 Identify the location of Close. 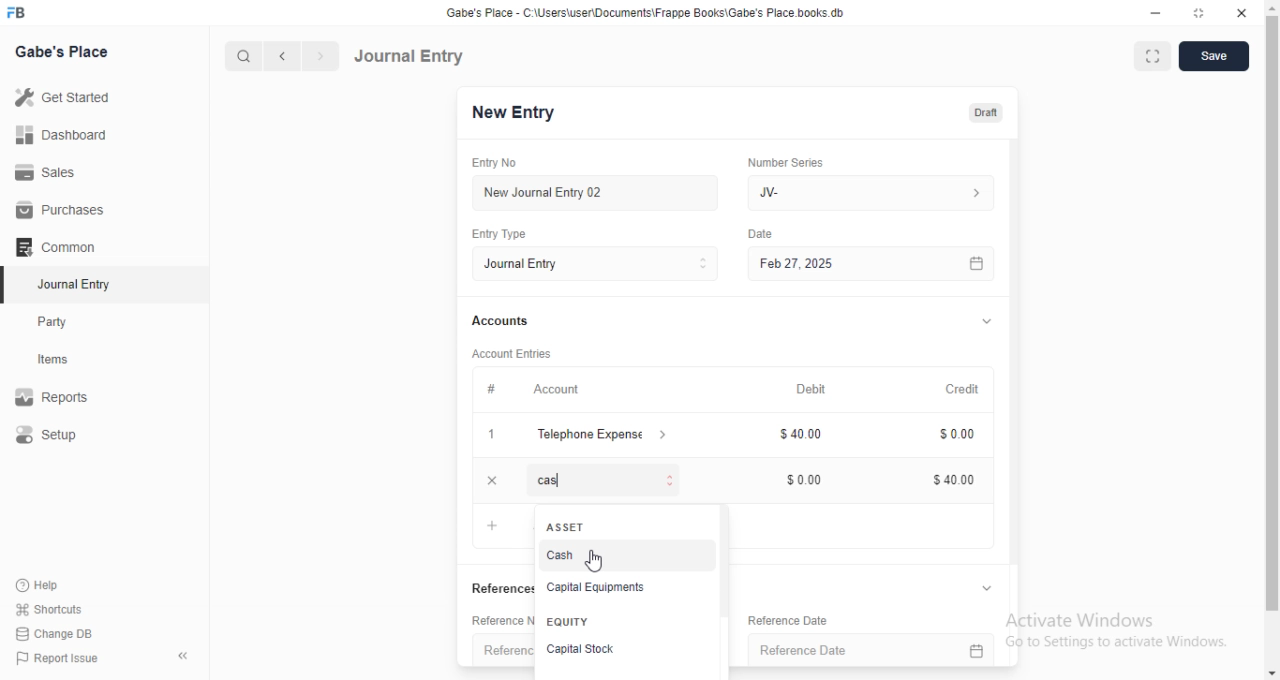
(1243, 13).